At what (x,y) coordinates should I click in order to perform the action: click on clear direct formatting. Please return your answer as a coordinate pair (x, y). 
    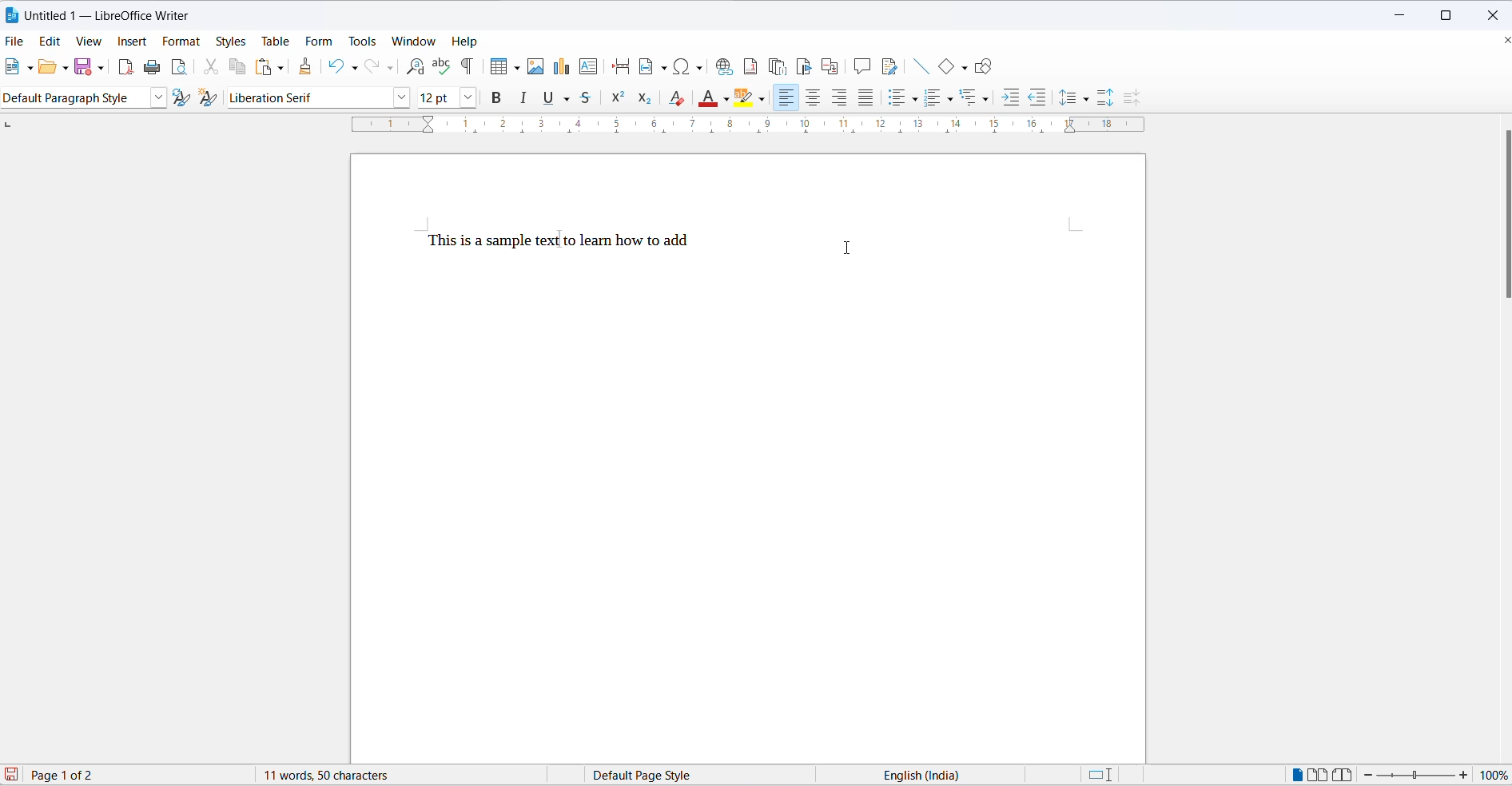
    Looking at the image, I should click on (676, 98).